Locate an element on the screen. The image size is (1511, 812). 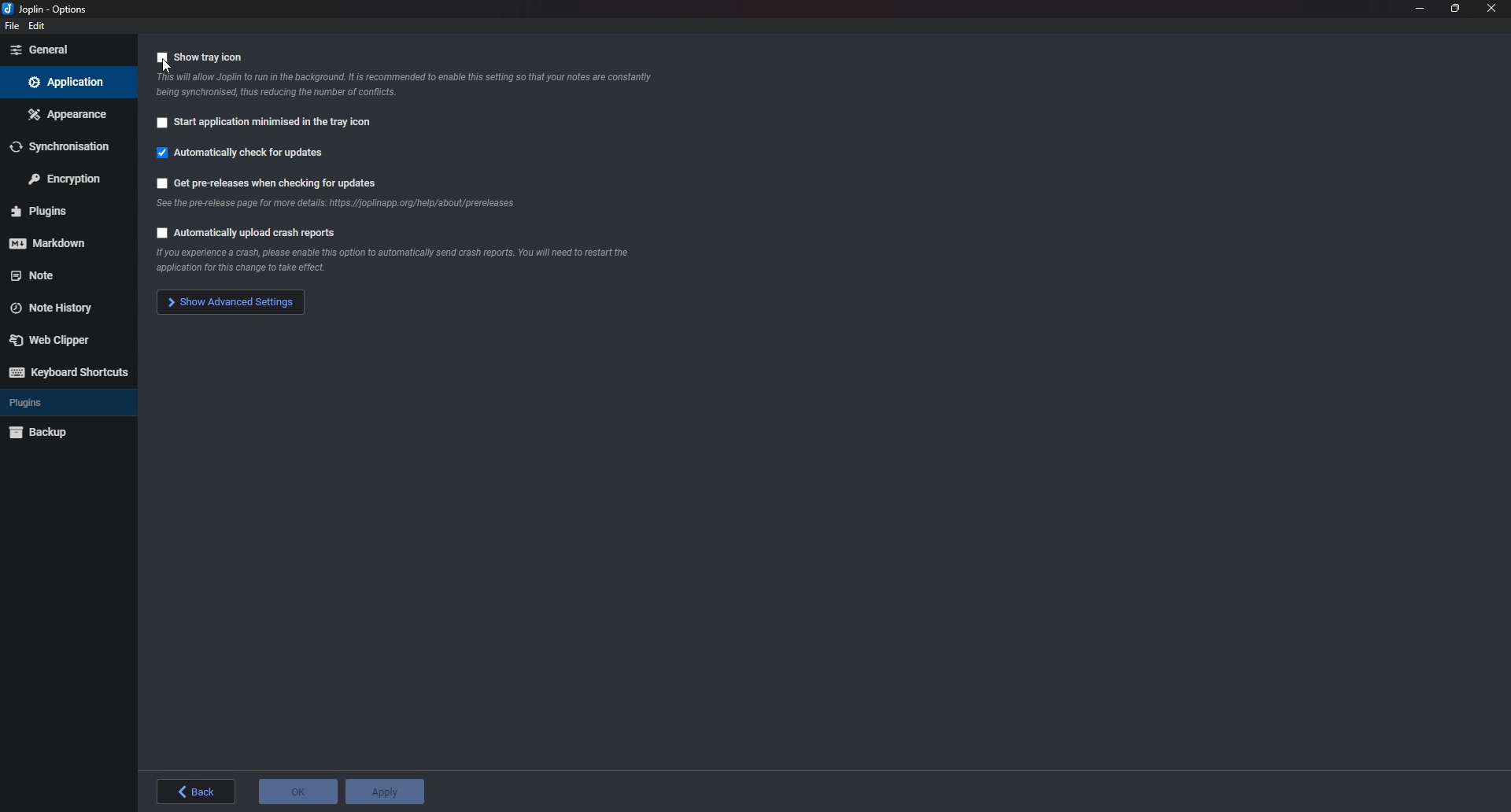
joplin is located at coordinates (50, 8).